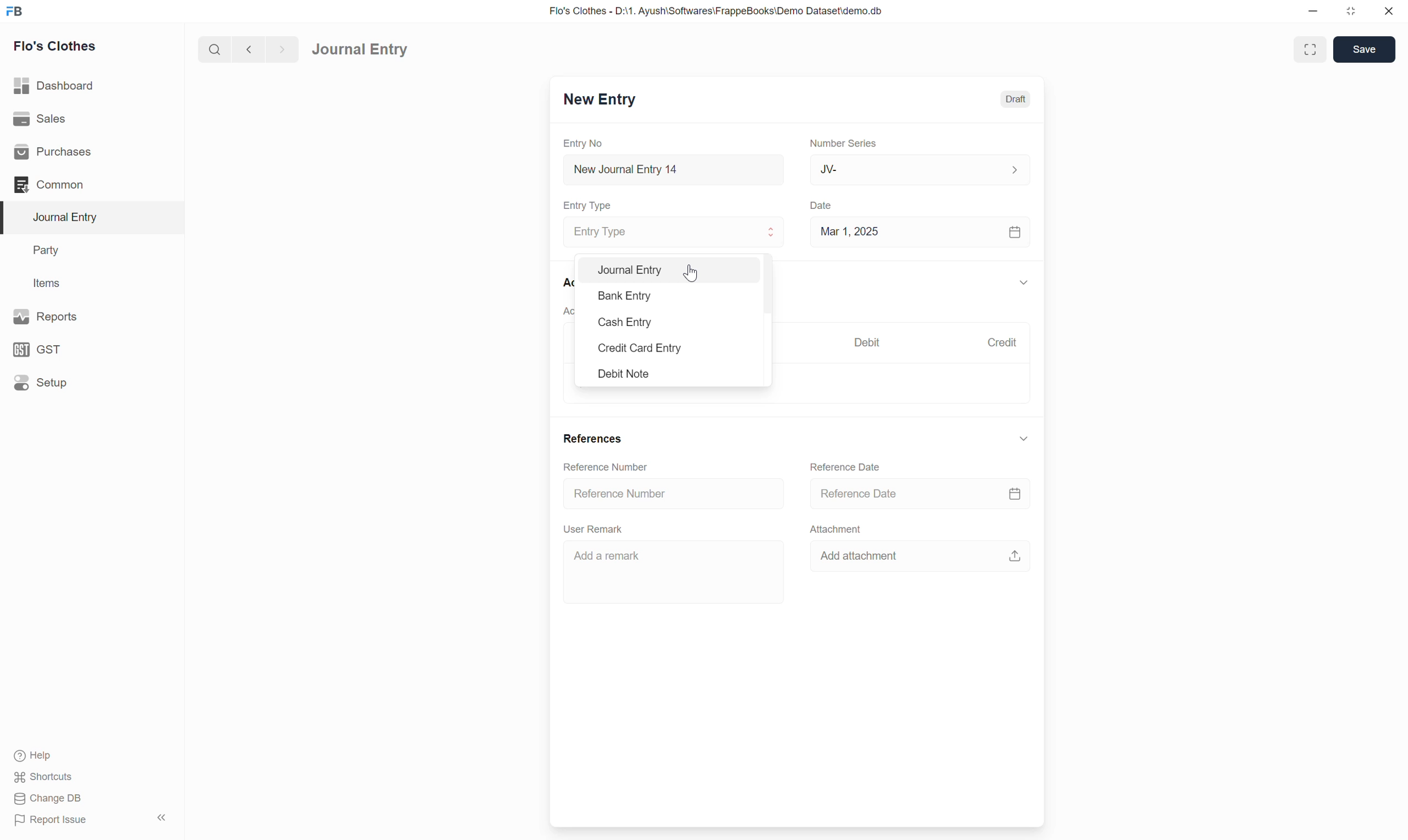  Describe the element at coordinates (246, 49) in the screenshot. I see `back` at that location.